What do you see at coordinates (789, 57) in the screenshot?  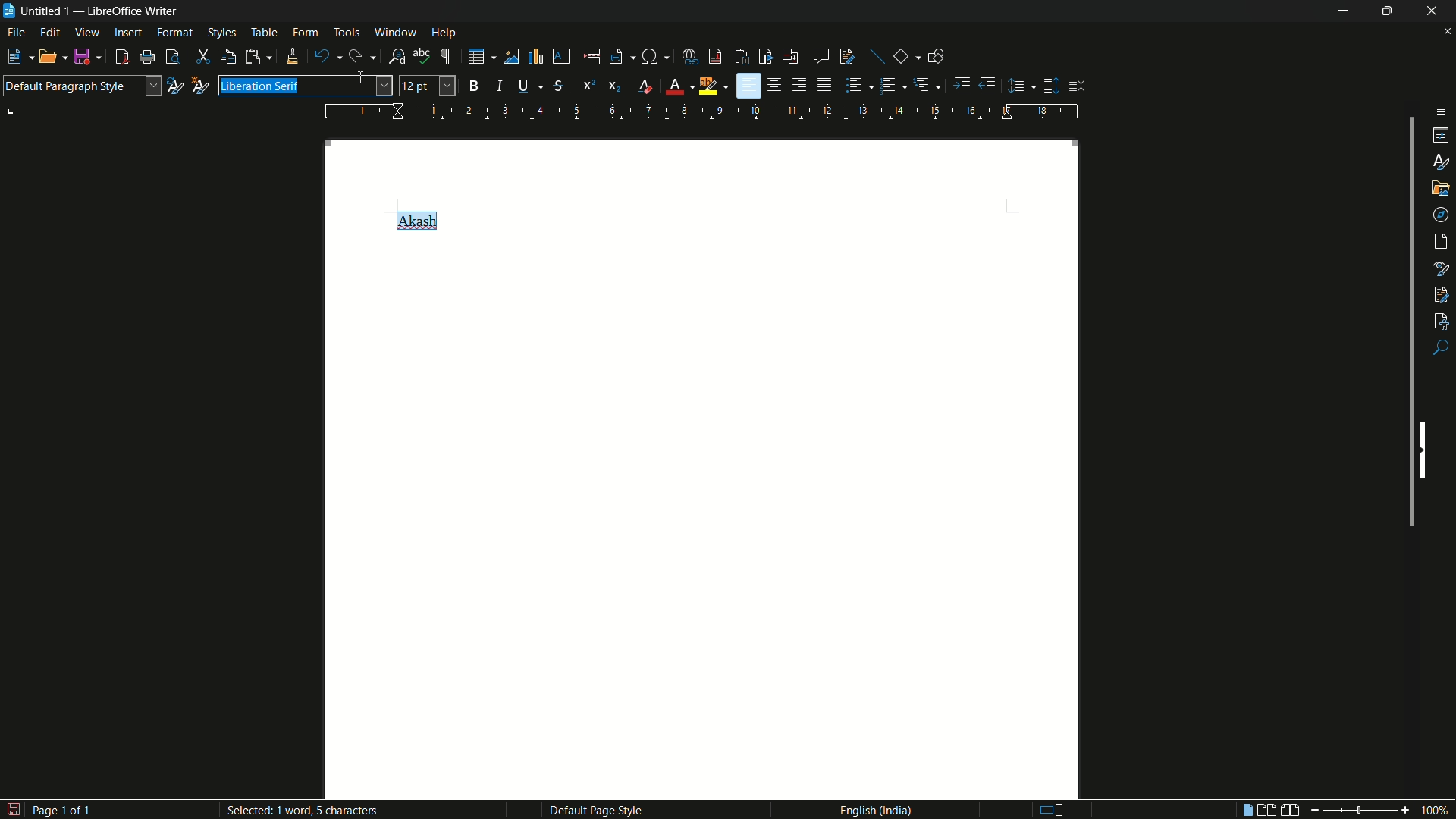 I see `insert cross reference` at bounding box center [789, 57].